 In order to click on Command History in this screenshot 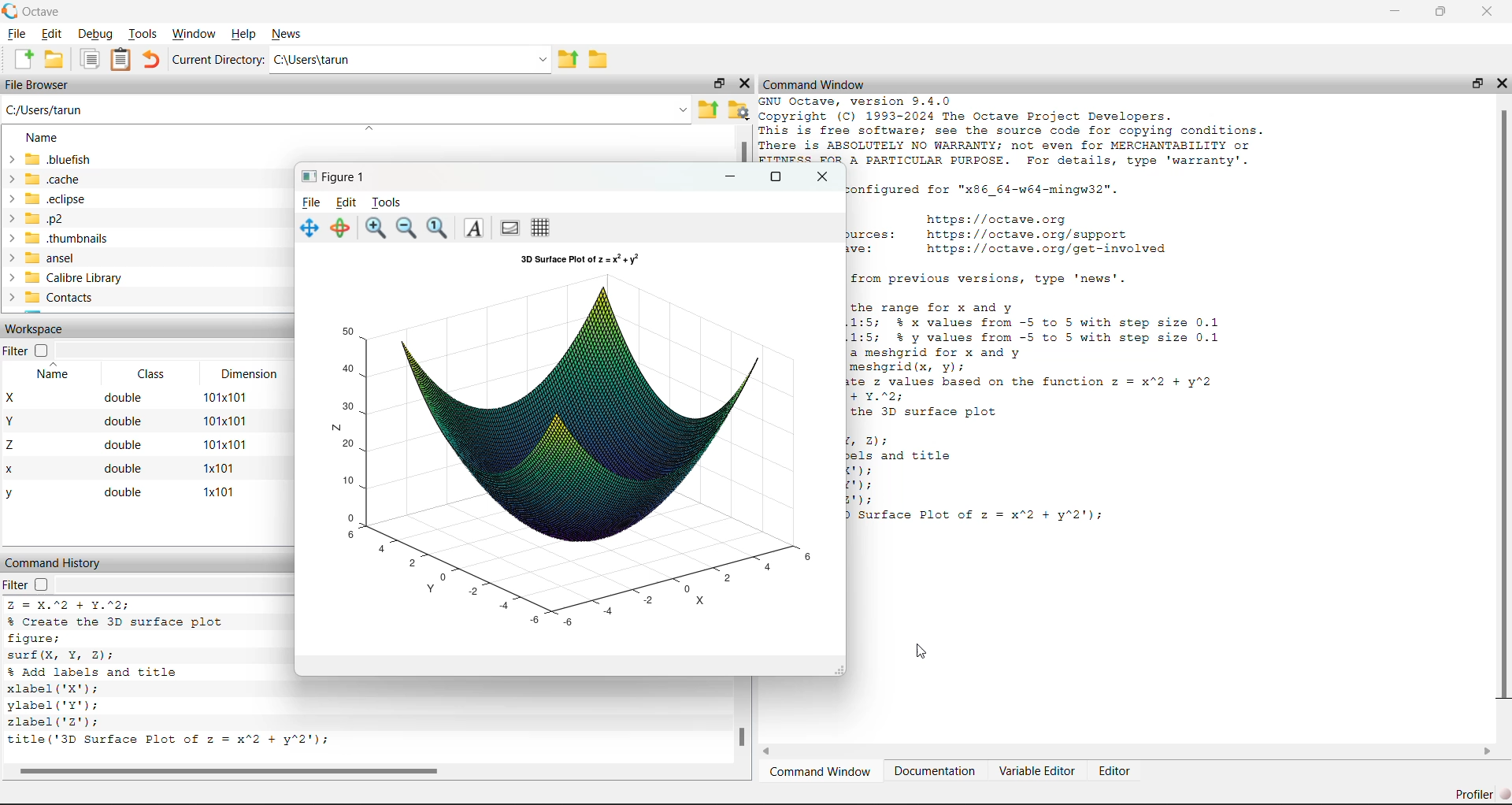, I will do `click(54, 563)`.